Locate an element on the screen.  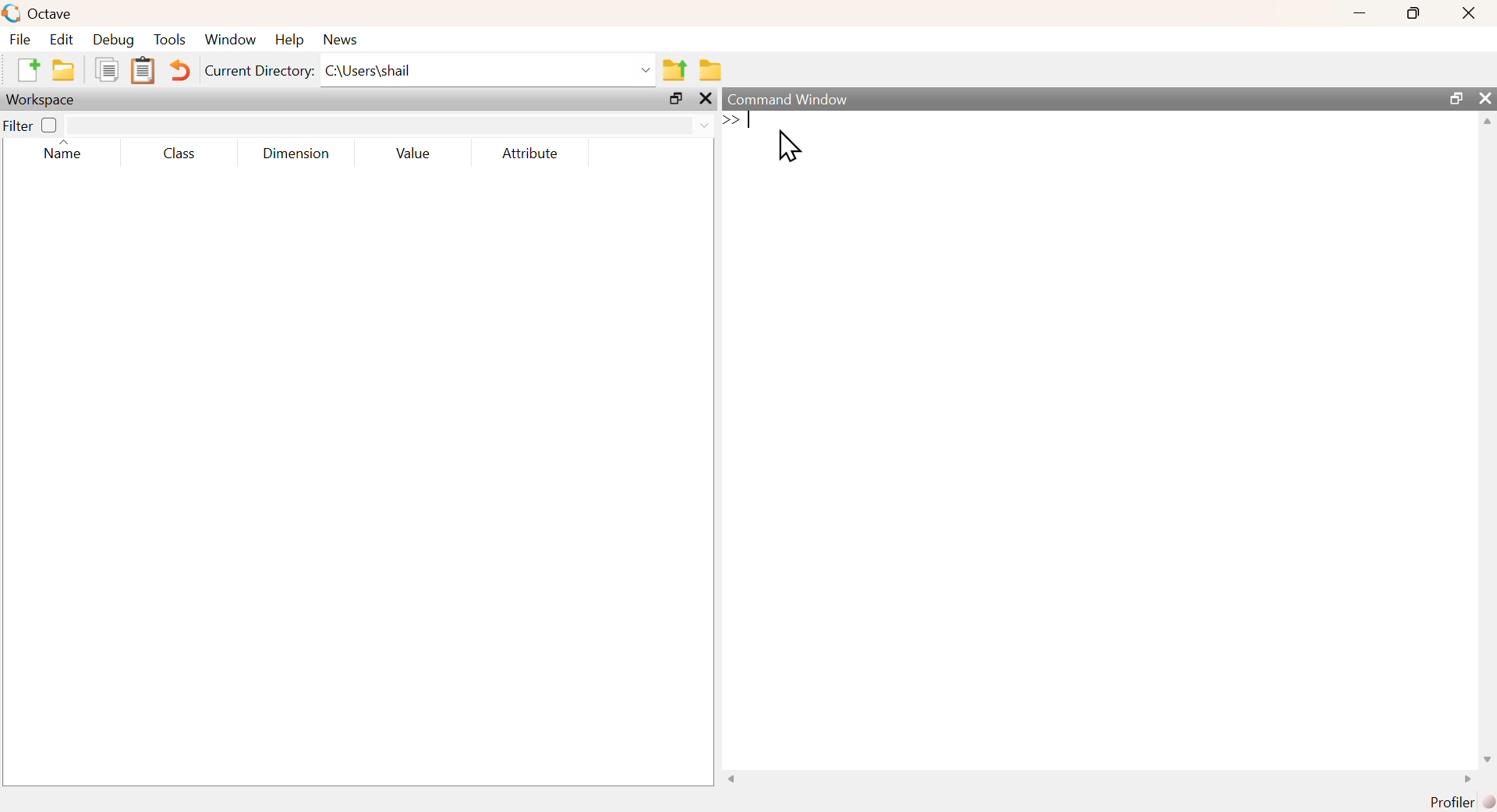
Debug is located at coordinates (112, 41).